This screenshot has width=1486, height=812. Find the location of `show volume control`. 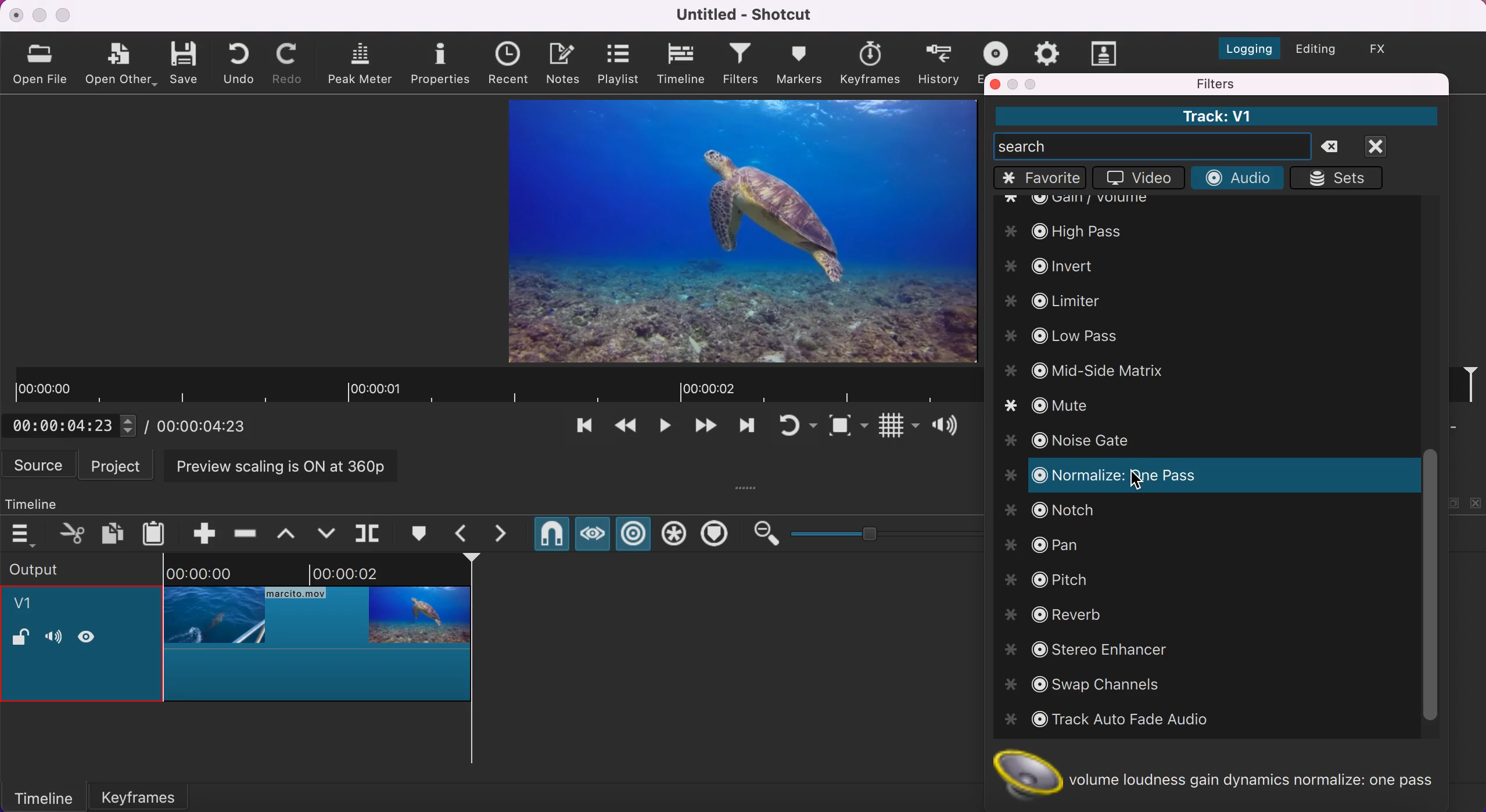

show volume control is located at coordinates (949, 427).